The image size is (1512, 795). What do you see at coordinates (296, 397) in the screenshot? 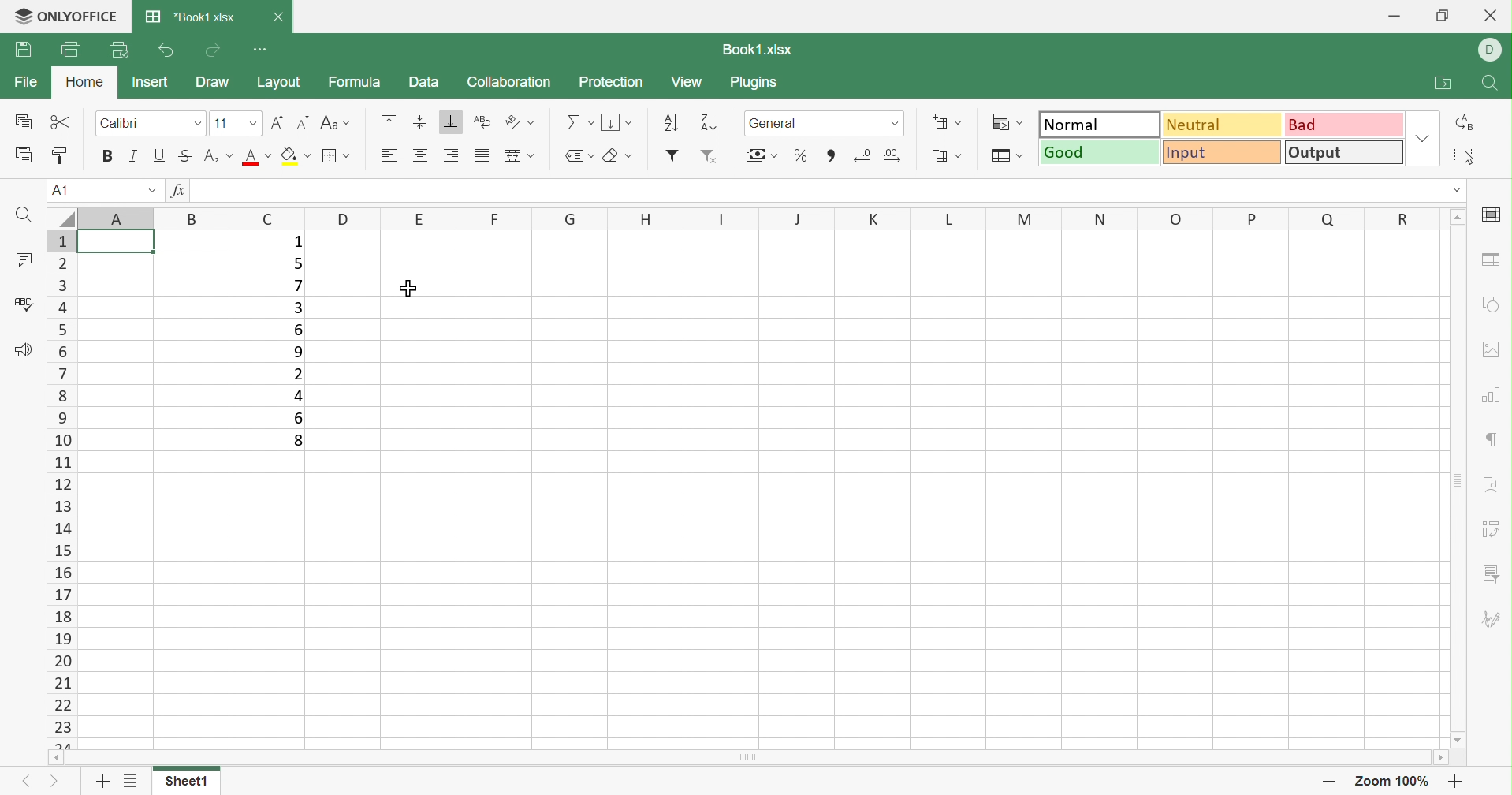
I see `4` at bounding box center [296, 397].